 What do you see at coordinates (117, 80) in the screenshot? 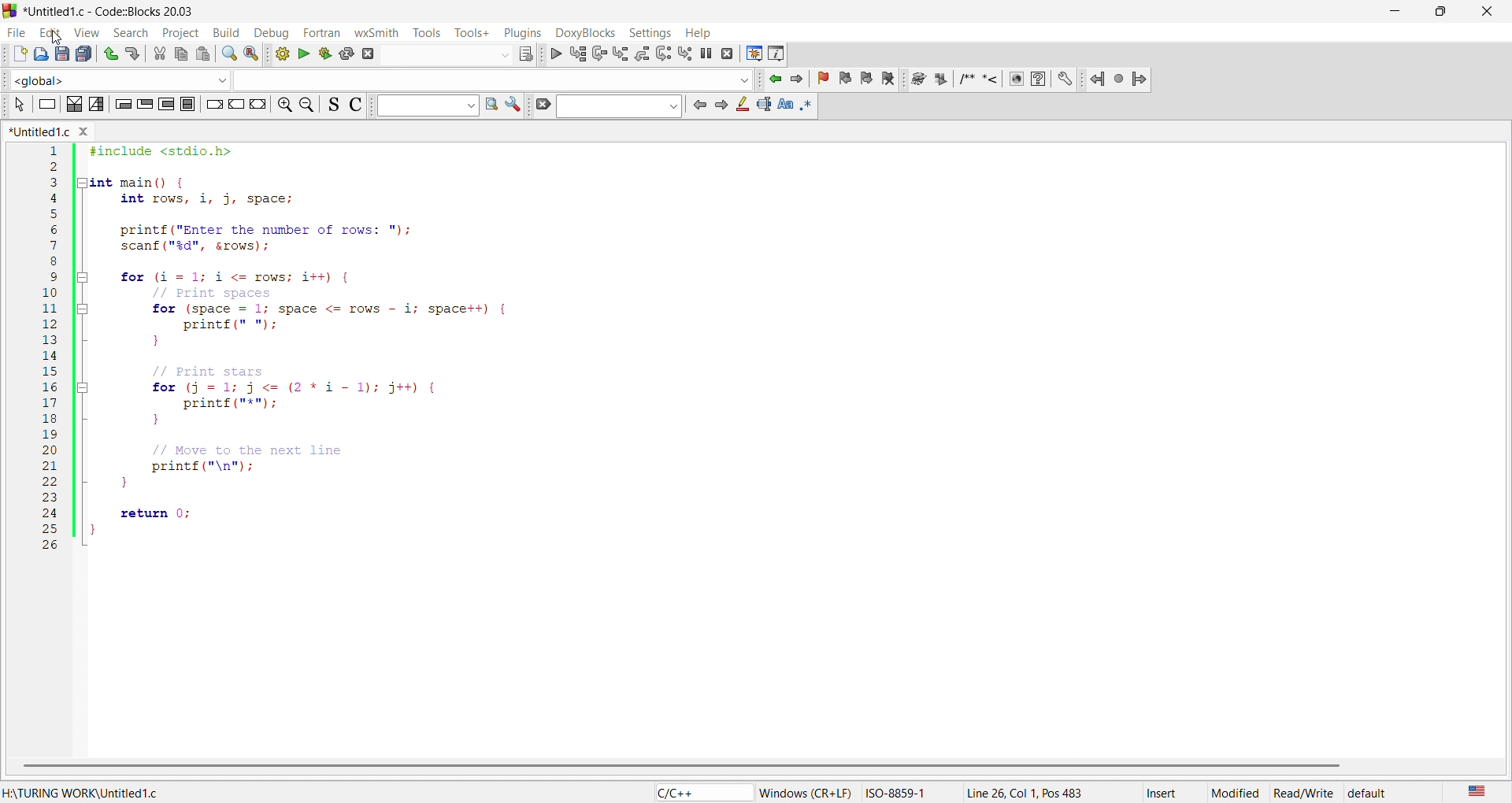
I see `function scope` at bounding box center [117, 80].